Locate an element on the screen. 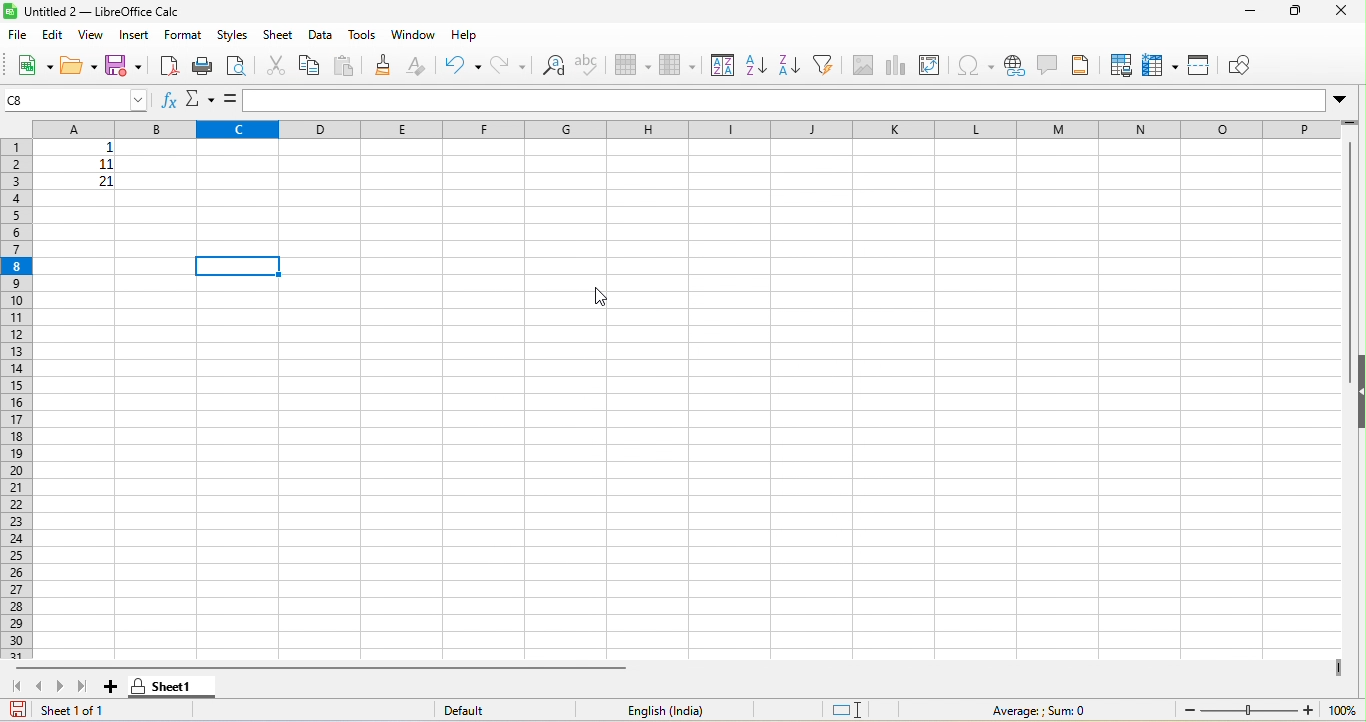  save is located at coordinates (19, 708).